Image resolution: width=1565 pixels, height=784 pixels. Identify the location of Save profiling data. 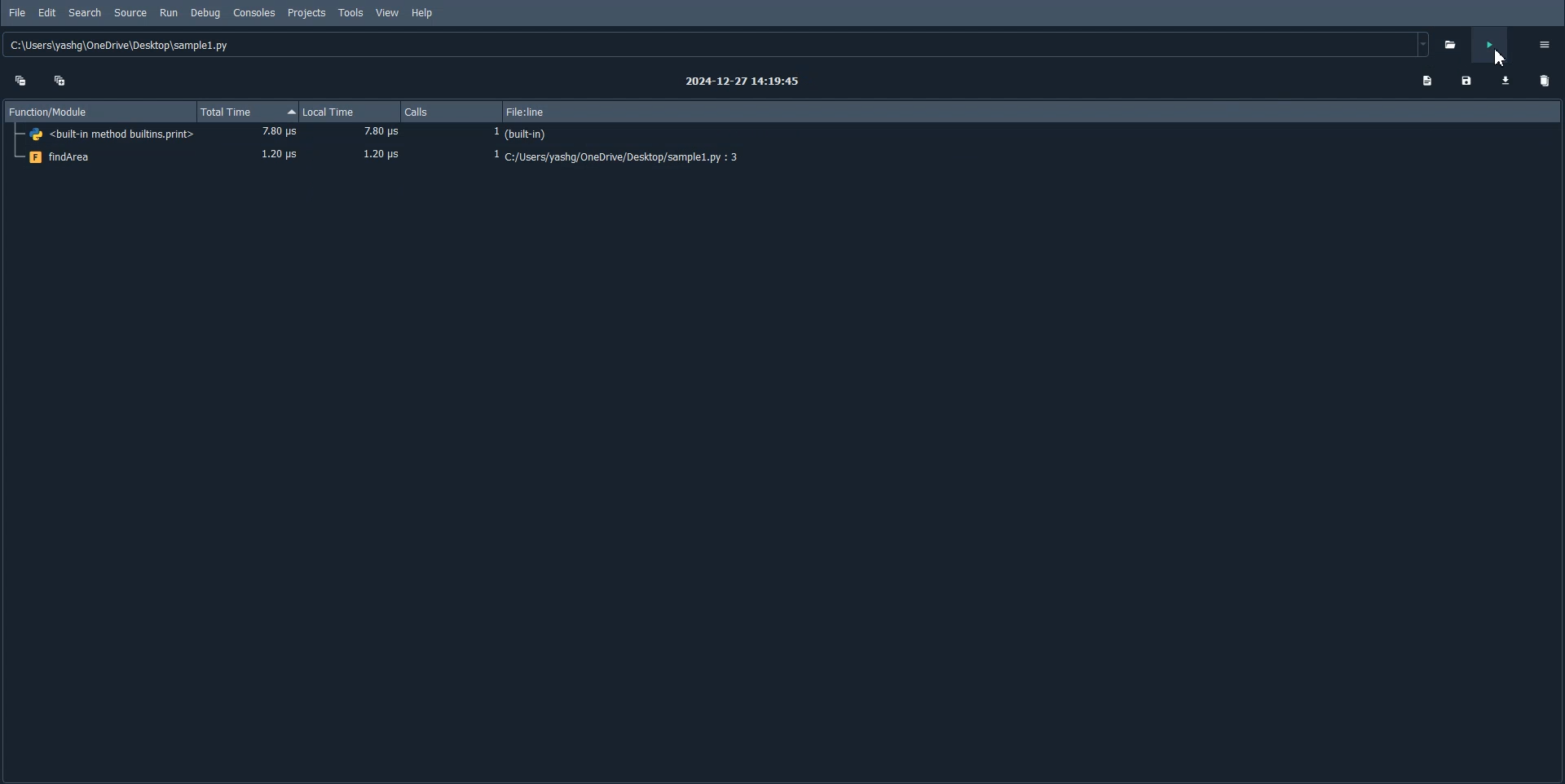
(1466, 81).